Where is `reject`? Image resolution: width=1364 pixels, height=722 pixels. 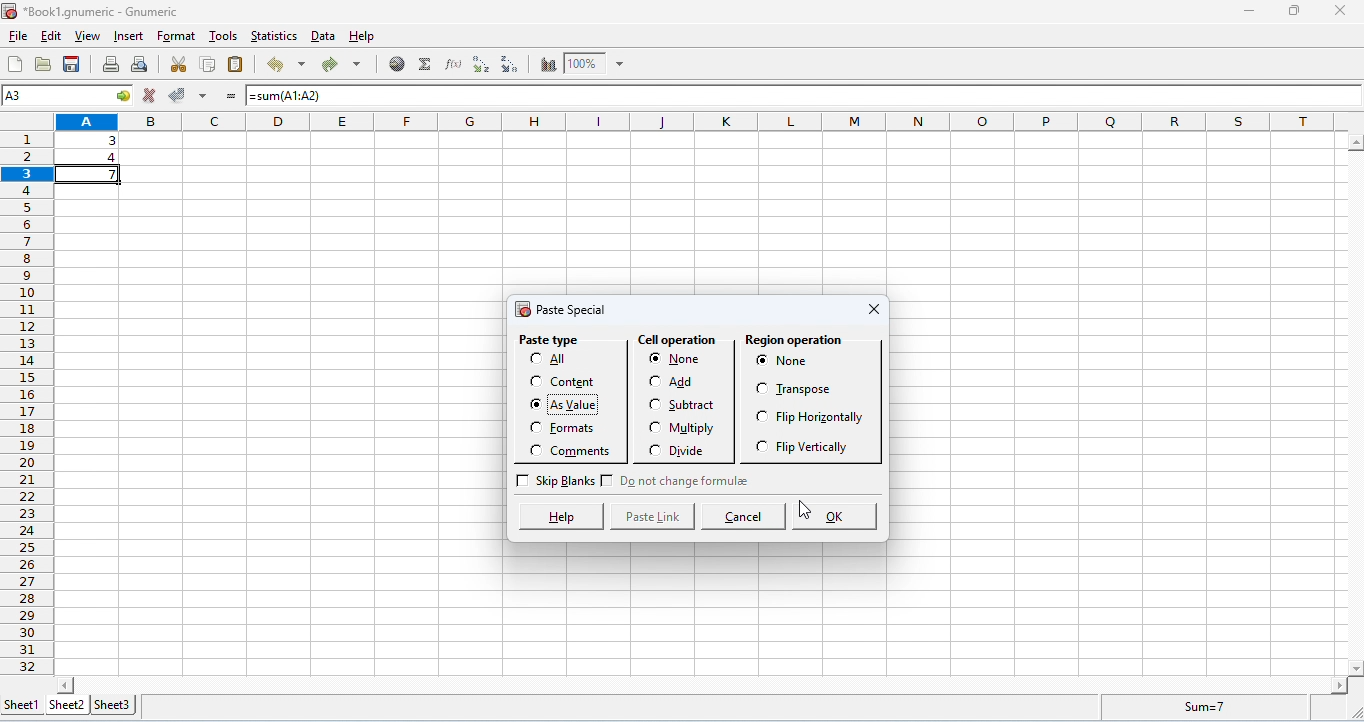
reject is located at coordinates (149, 95).